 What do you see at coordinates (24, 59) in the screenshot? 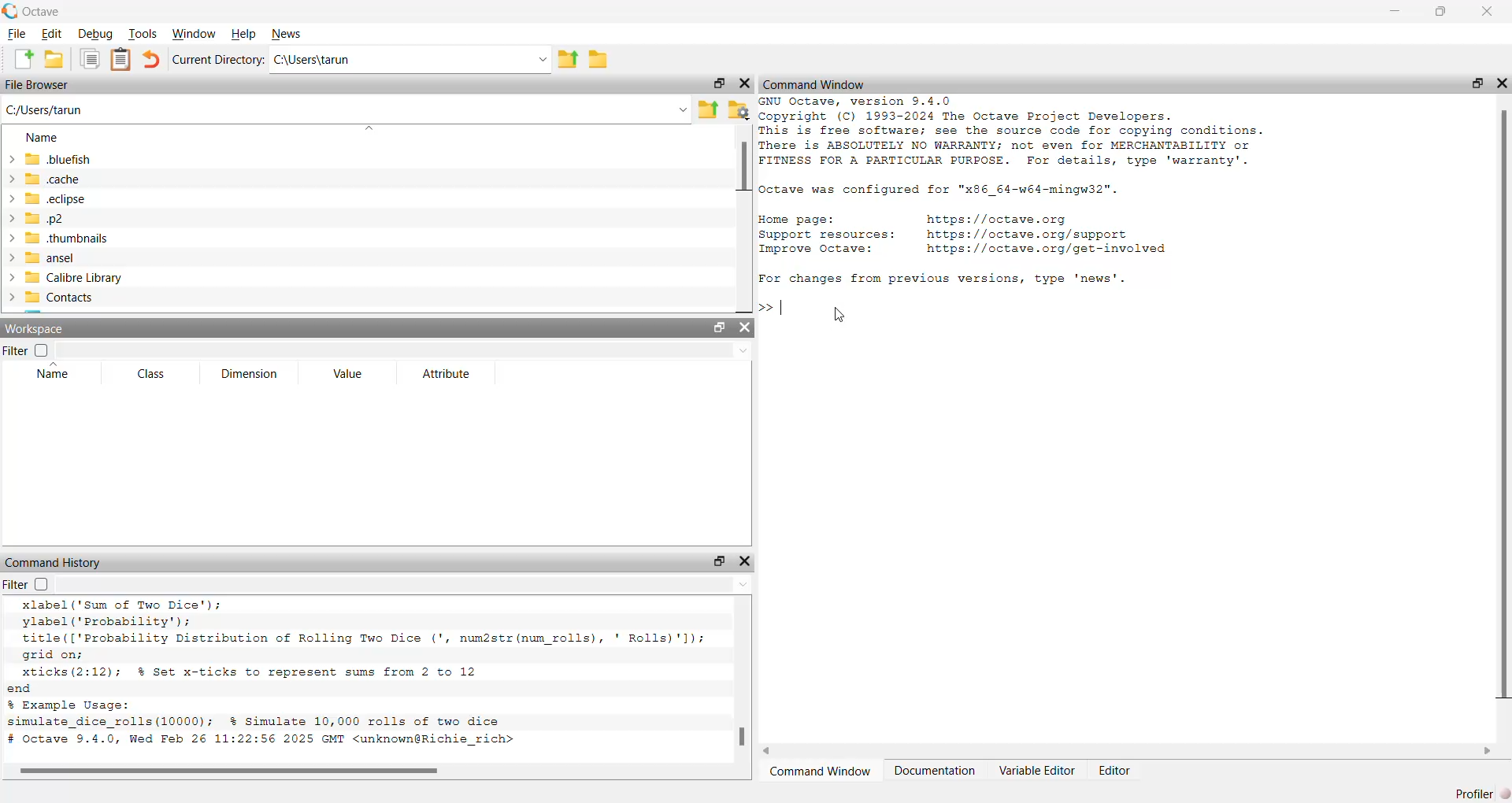
I see `Create a new File` at bounding box center [24, 59].